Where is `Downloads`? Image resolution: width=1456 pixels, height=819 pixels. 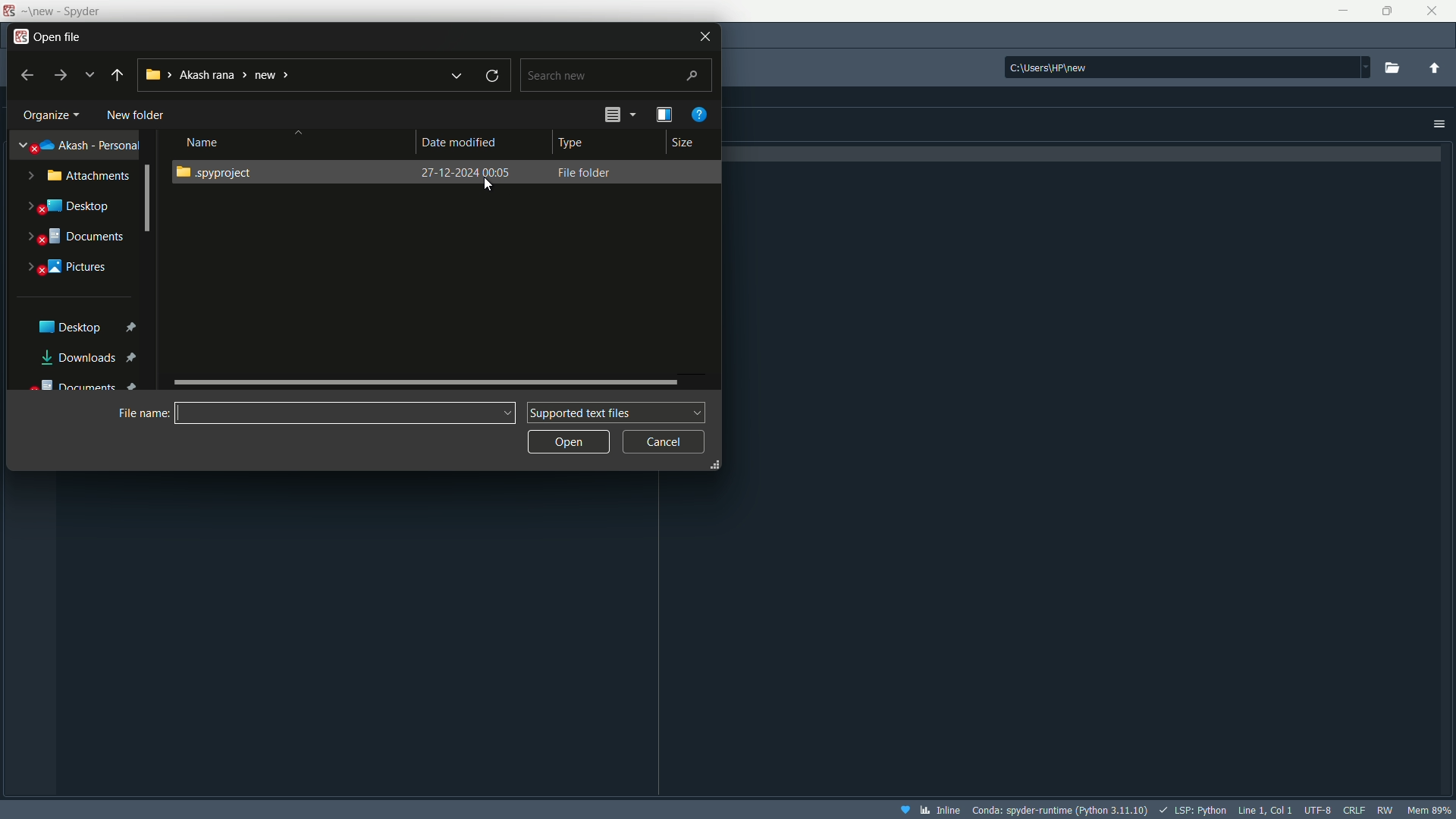 Downloads is located at coordinates (89, 357).